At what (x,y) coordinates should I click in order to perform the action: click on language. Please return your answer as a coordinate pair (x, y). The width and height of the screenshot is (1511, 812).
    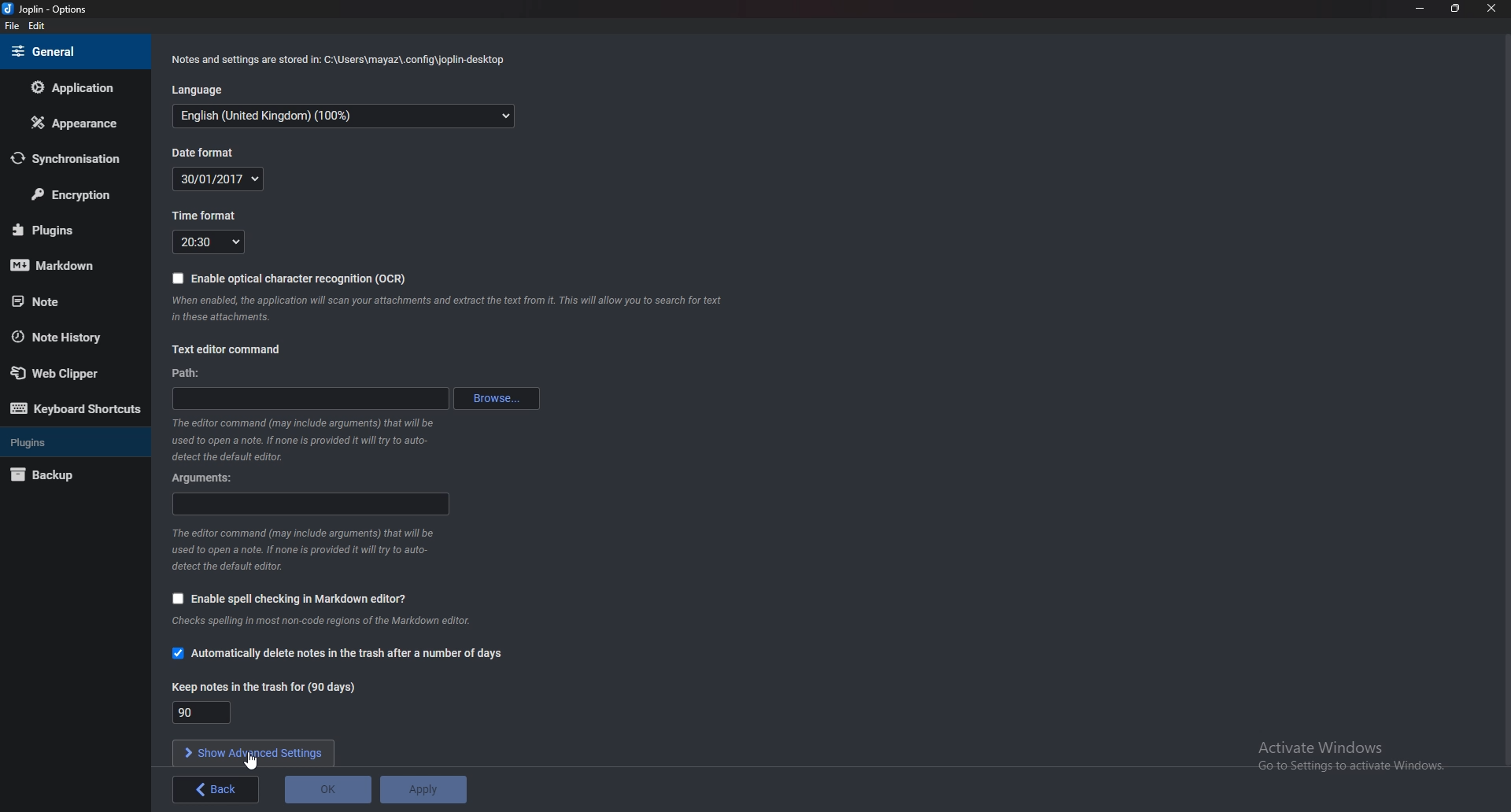
    Looking at the image, I should click on (345, 118).